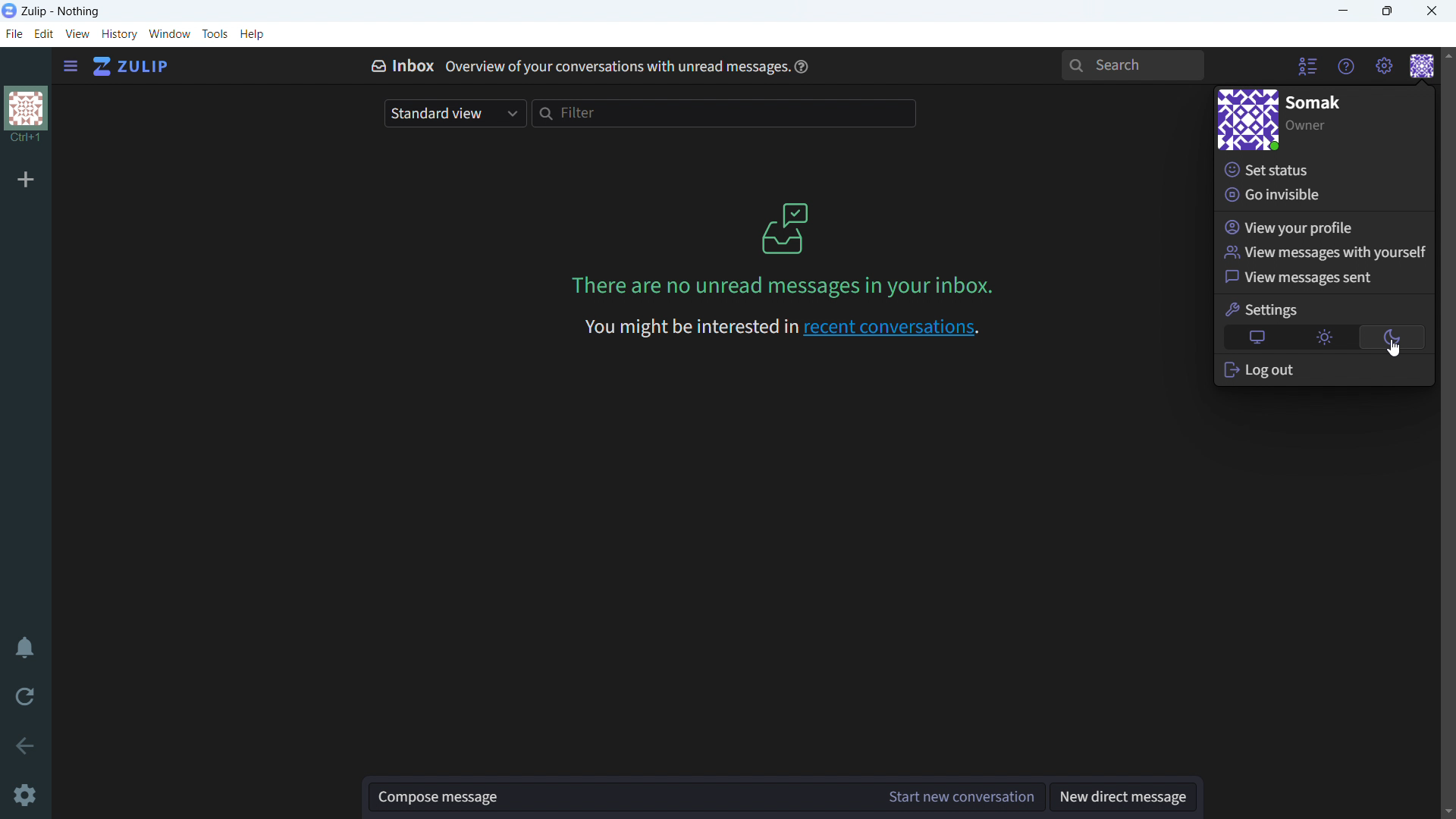 This screenshot has height=819, width=1456. What do you see at coordinates (25, 180) in the screenshot?
I see `add organization` at bounding box center [25, 180].